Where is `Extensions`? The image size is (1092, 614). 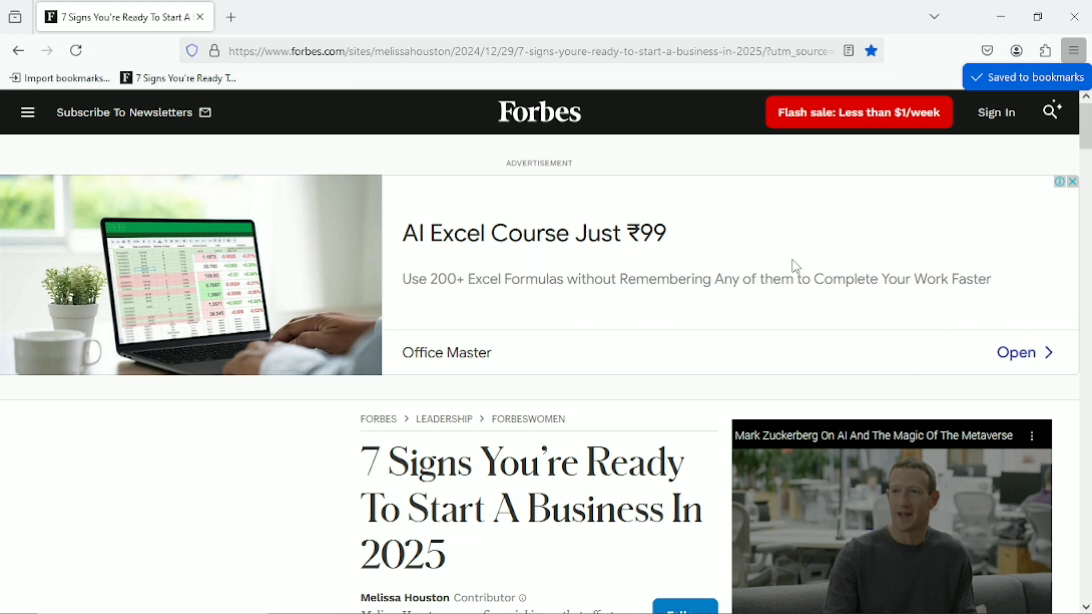
Extensions is located at coordinates (1045, 49).